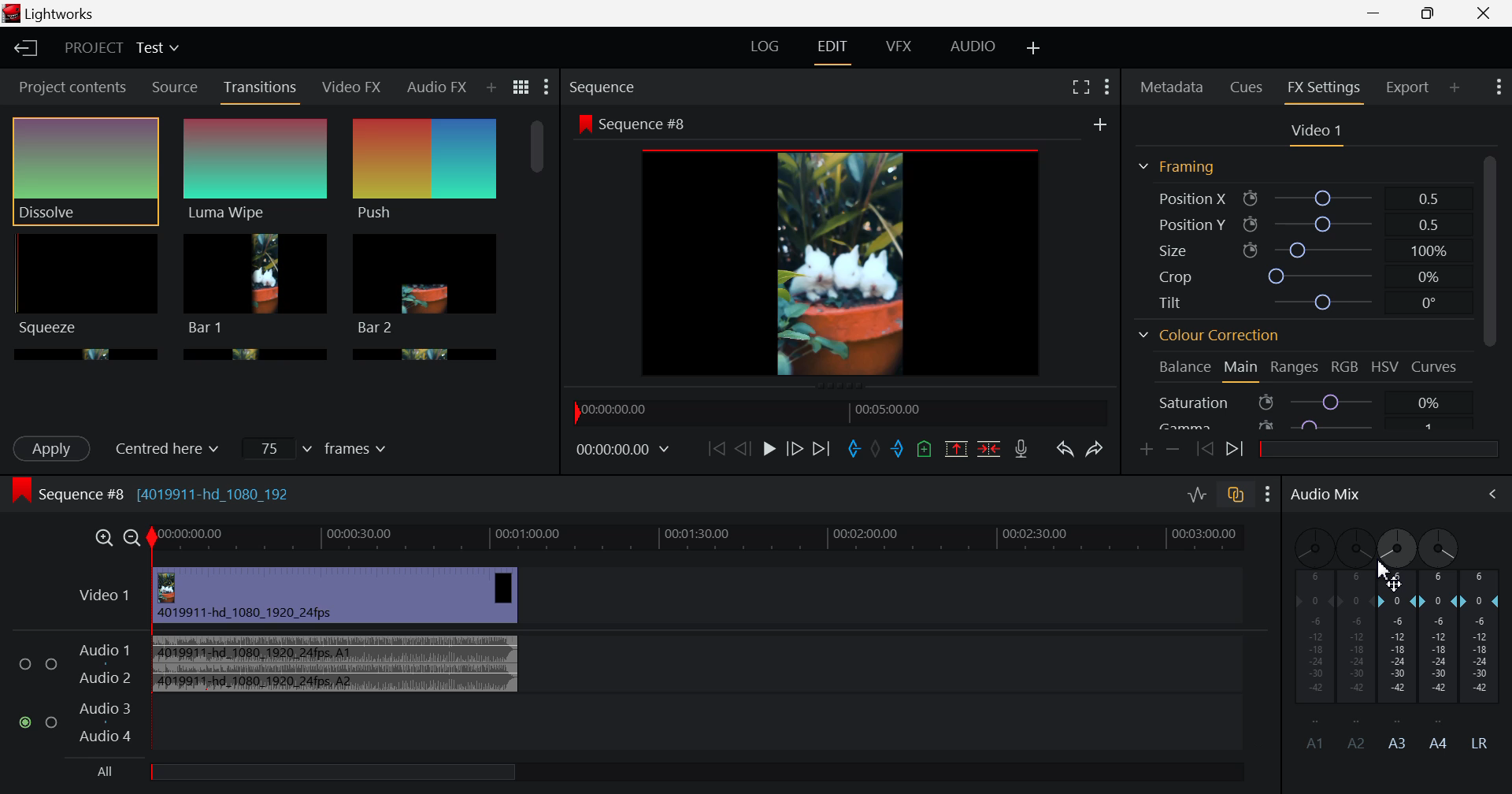 The width and height of the screenshot is (1512, 794). I want to click on Source, so click(176, 86).